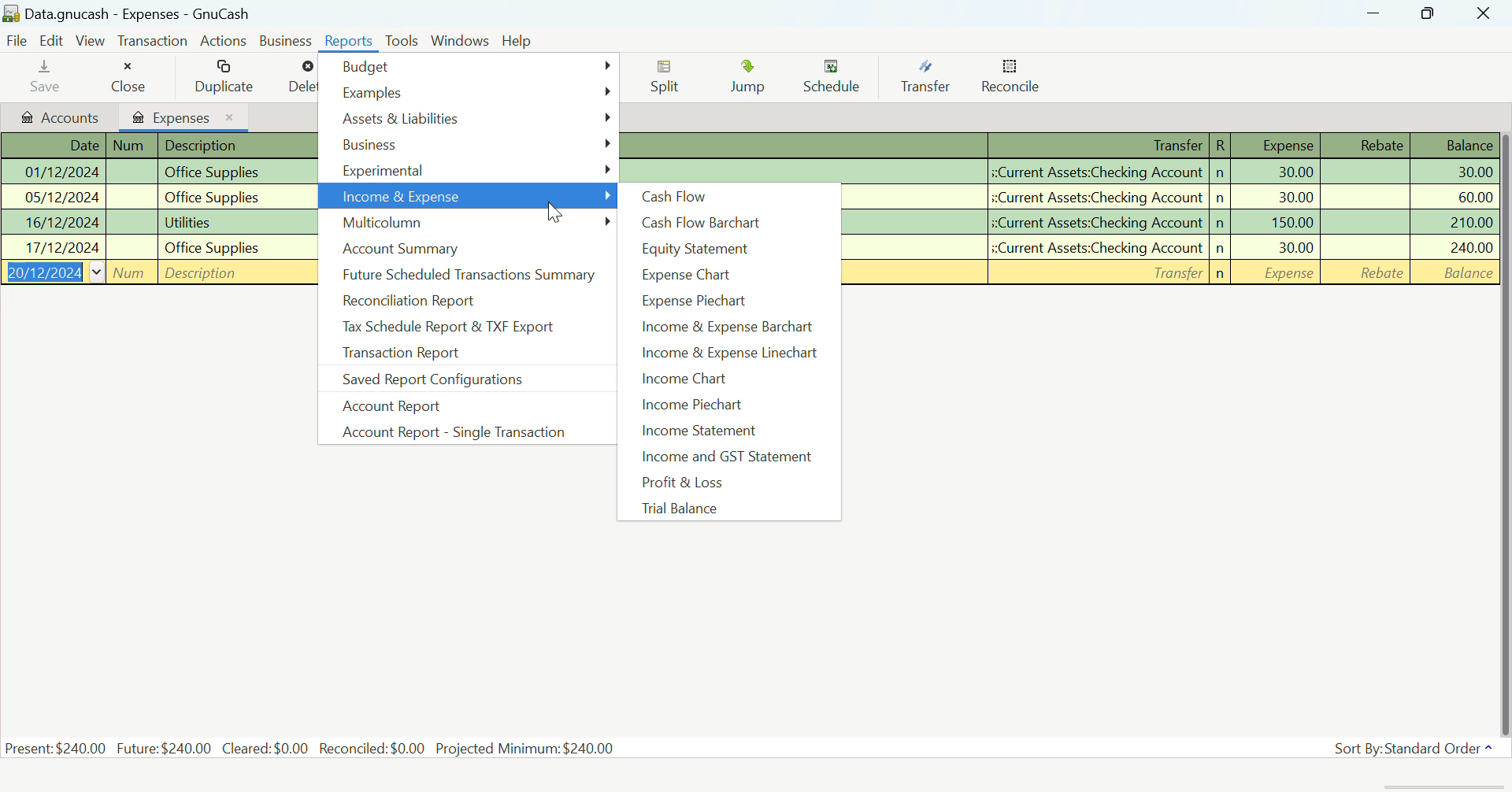  I want to click on Reports Menu Open, so click(350, 43).